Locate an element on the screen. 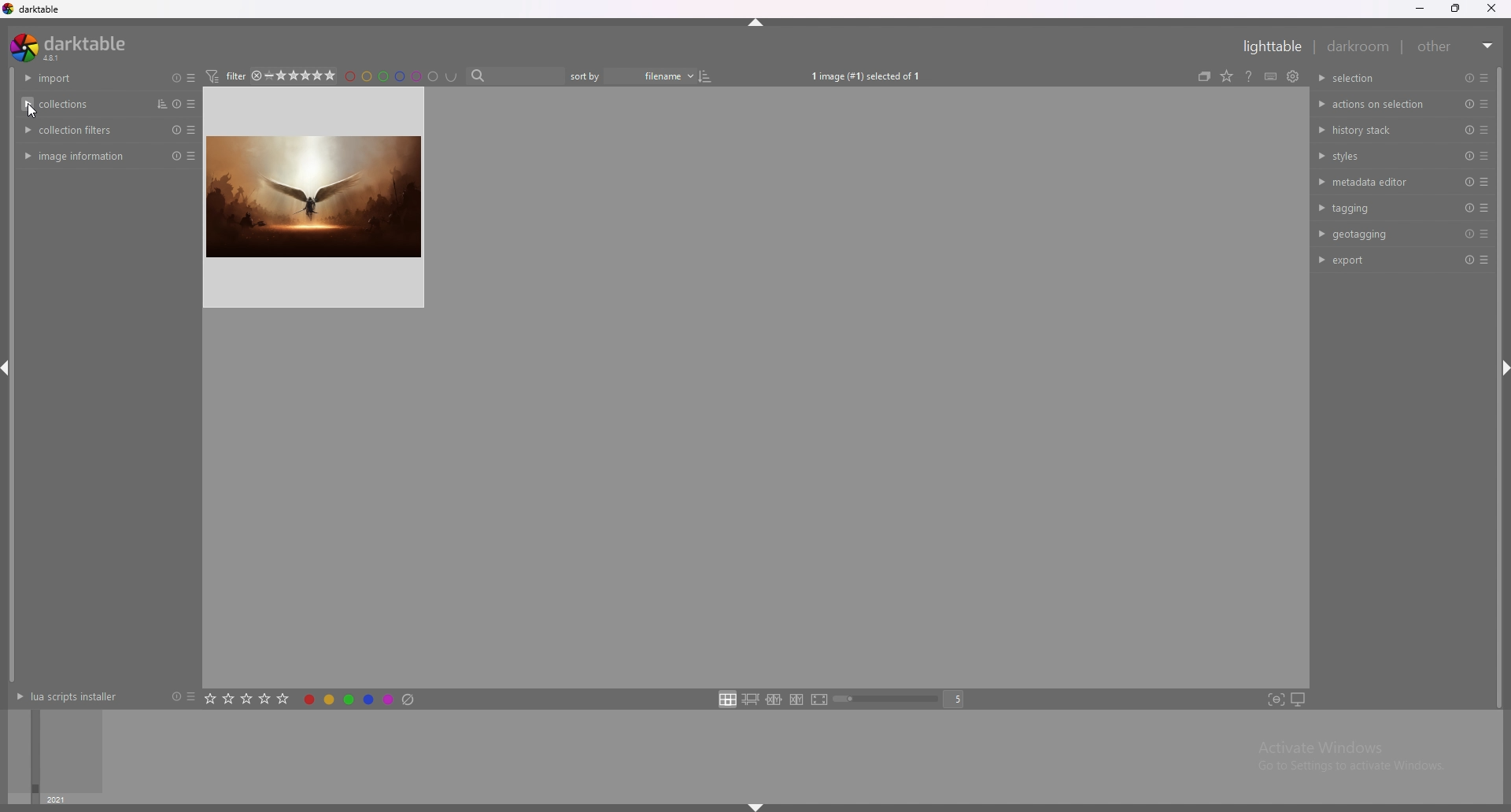  presets is located at coordinates (194, 78).